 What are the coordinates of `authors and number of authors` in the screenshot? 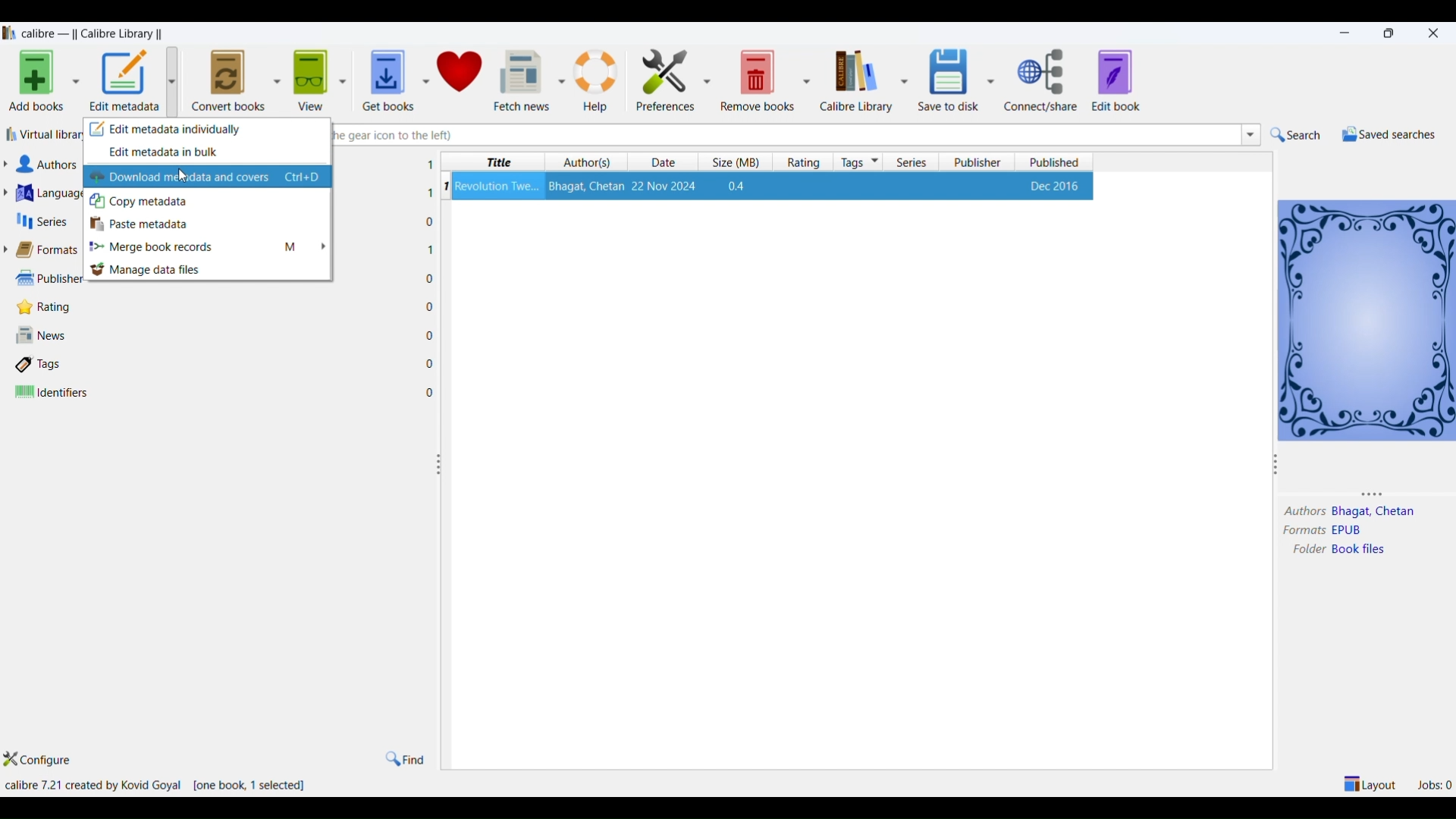 It's located at (52, 165).